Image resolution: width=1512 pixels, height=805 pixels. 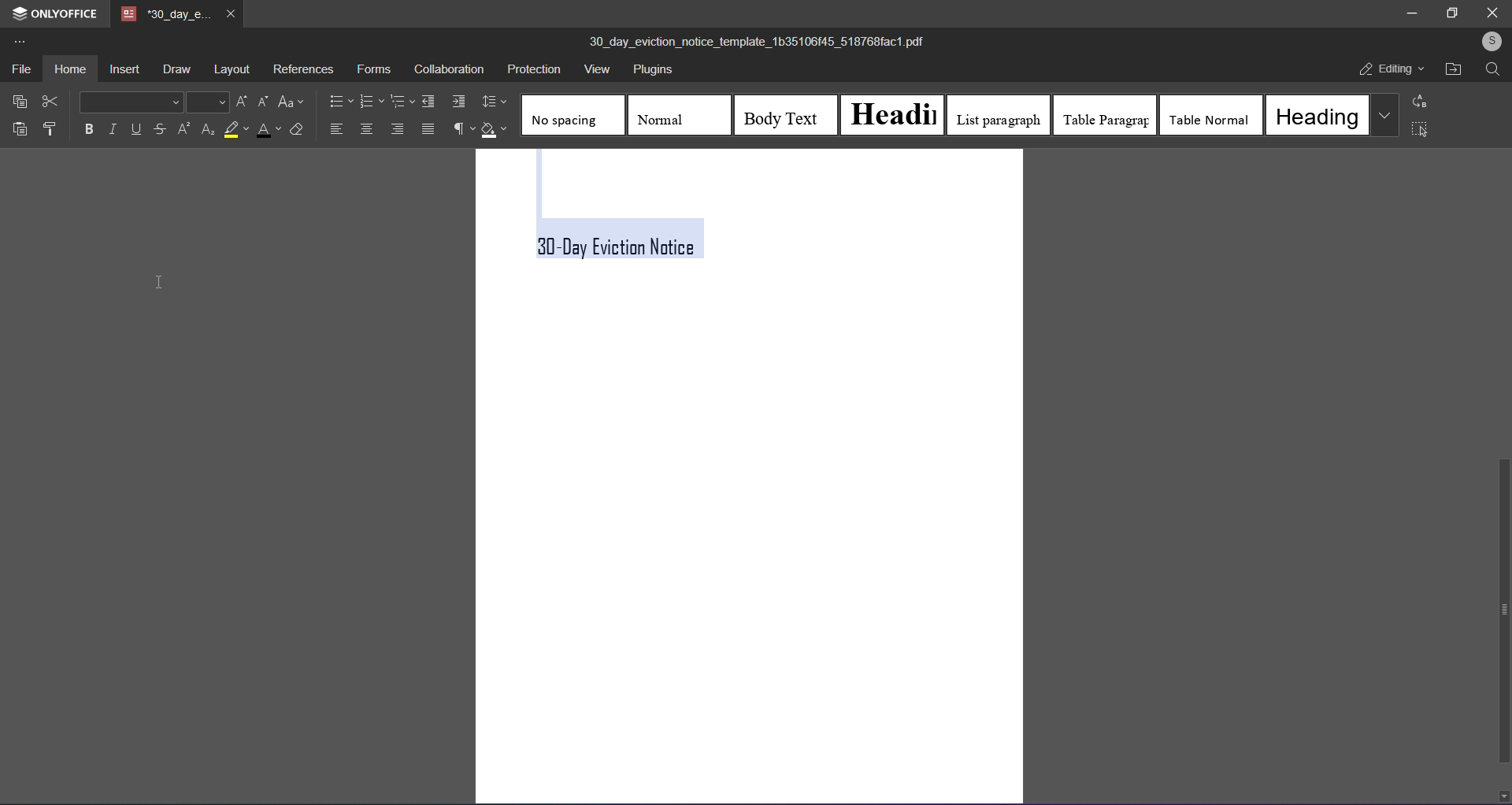 I want to click on user, so click(x=1492, y=42).